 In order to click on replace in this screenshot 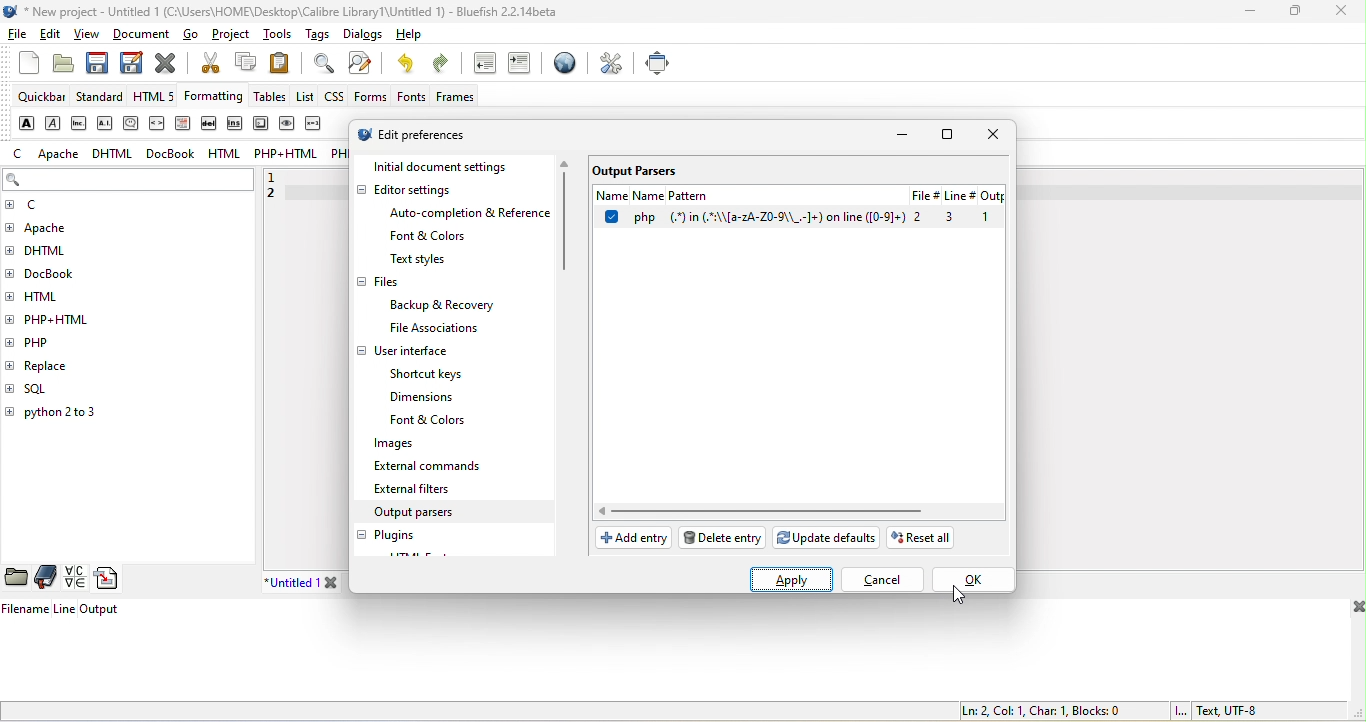, I will do `click(79, 363)`.